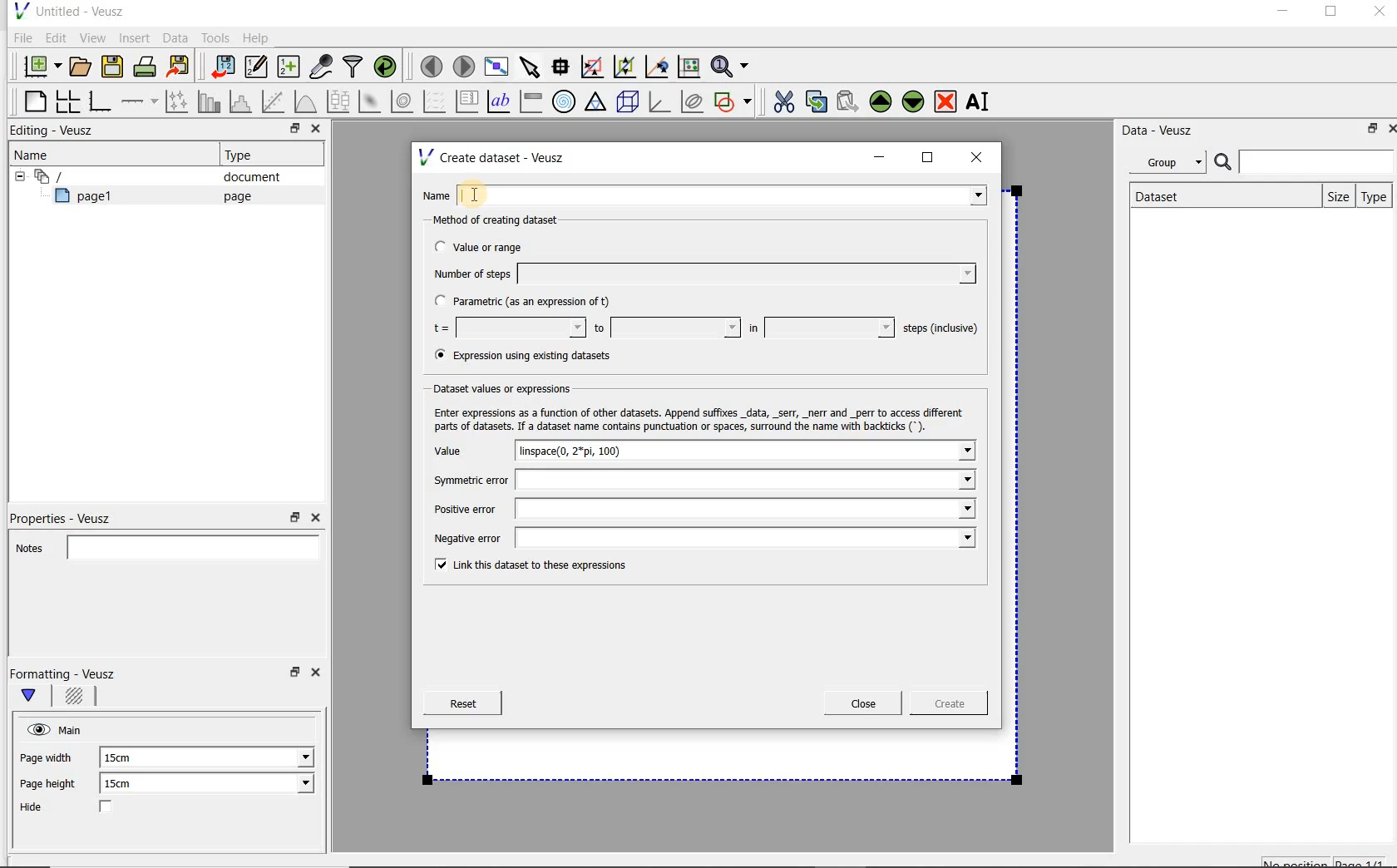  I want to click on arrange graphs in a grid, so click(67, 101).